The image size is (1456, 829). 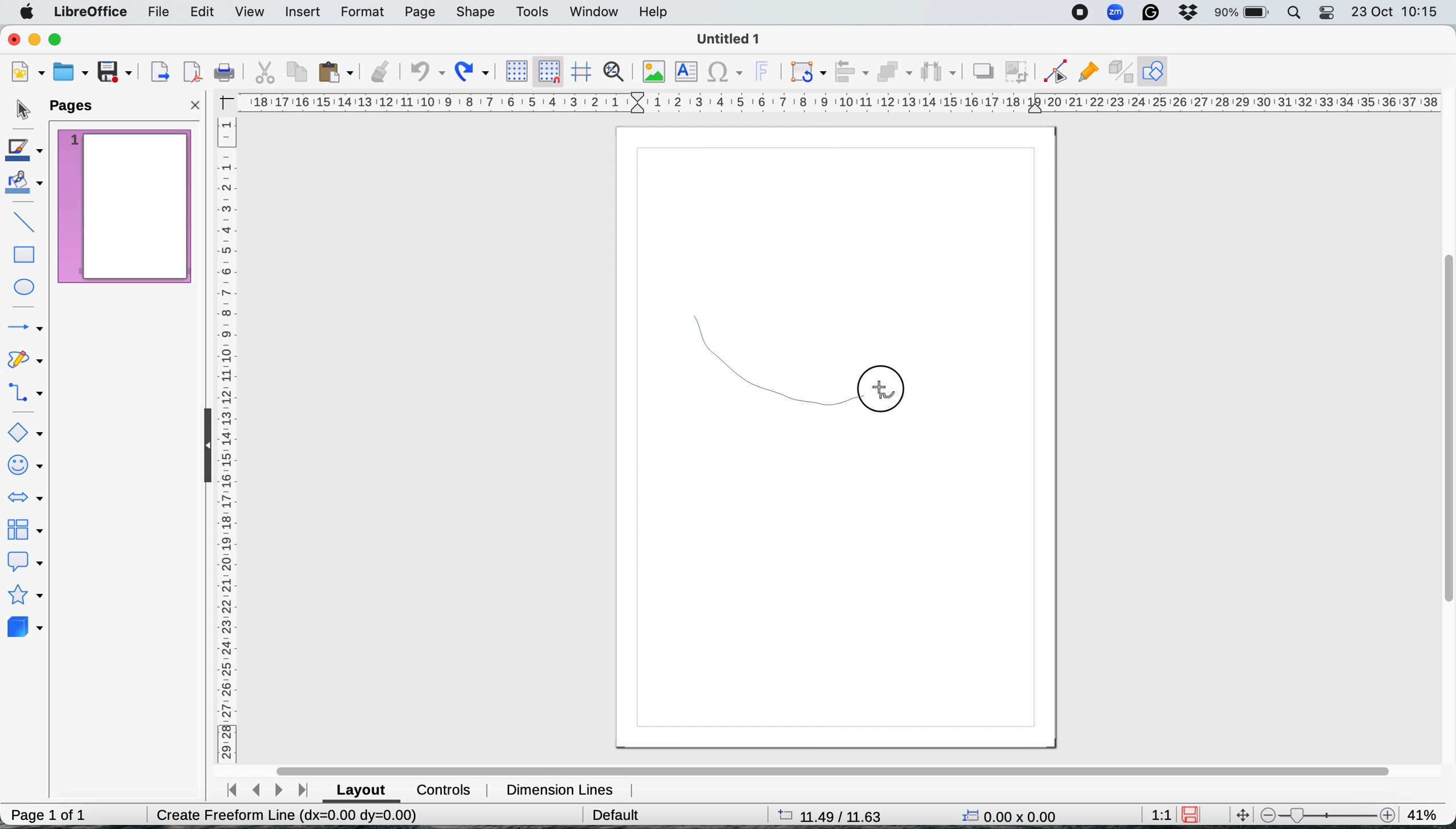 I want to click on snap to grid, so click(x=549, y=72).